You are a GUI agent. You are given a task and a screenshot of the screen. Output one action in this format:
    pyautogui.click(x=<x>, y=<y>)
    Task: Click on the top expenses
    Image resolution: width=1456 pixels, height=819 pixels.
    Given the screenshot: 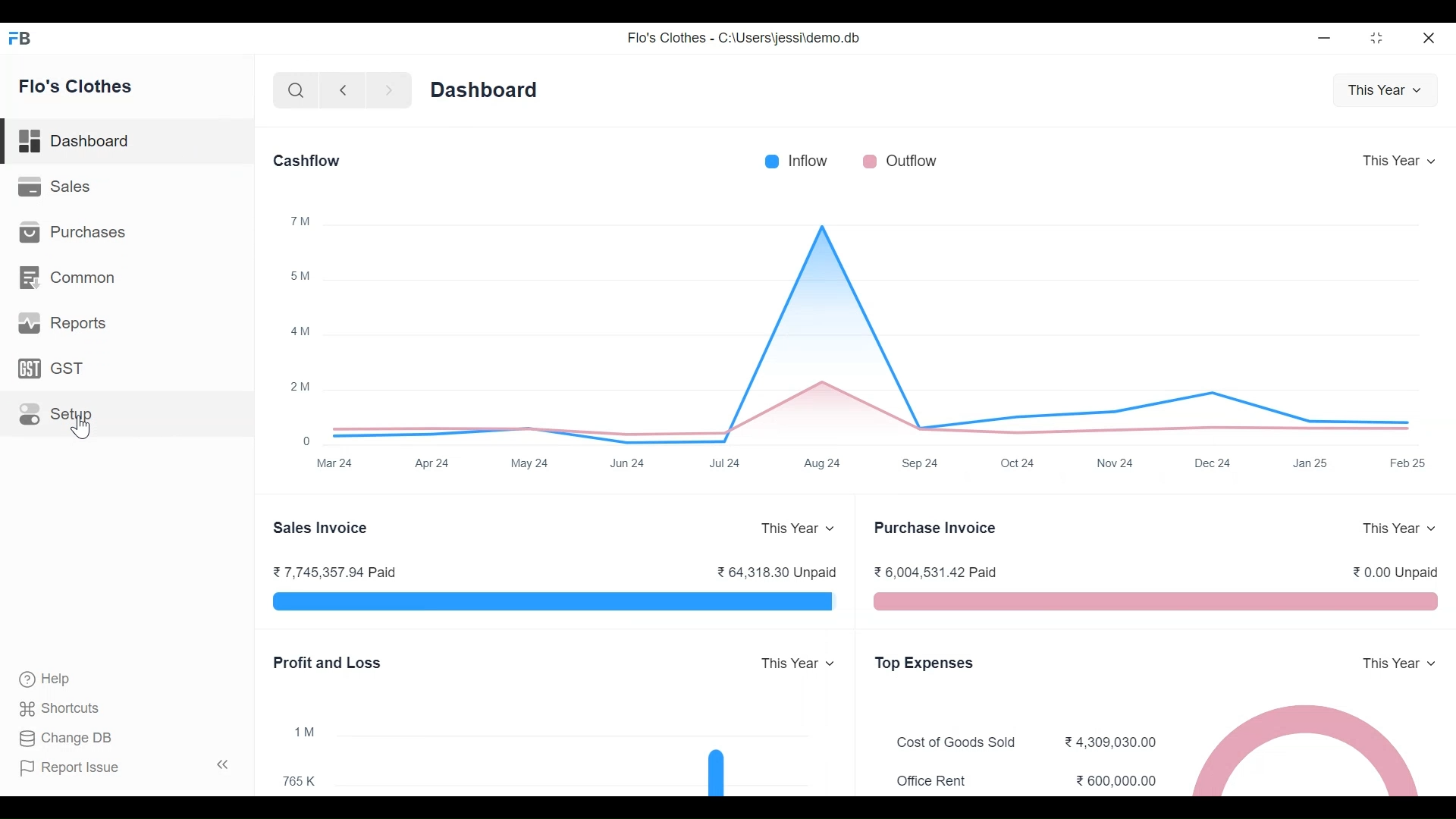 What is the action you would take?
    pyautogui.click(x=925, y=663)
    